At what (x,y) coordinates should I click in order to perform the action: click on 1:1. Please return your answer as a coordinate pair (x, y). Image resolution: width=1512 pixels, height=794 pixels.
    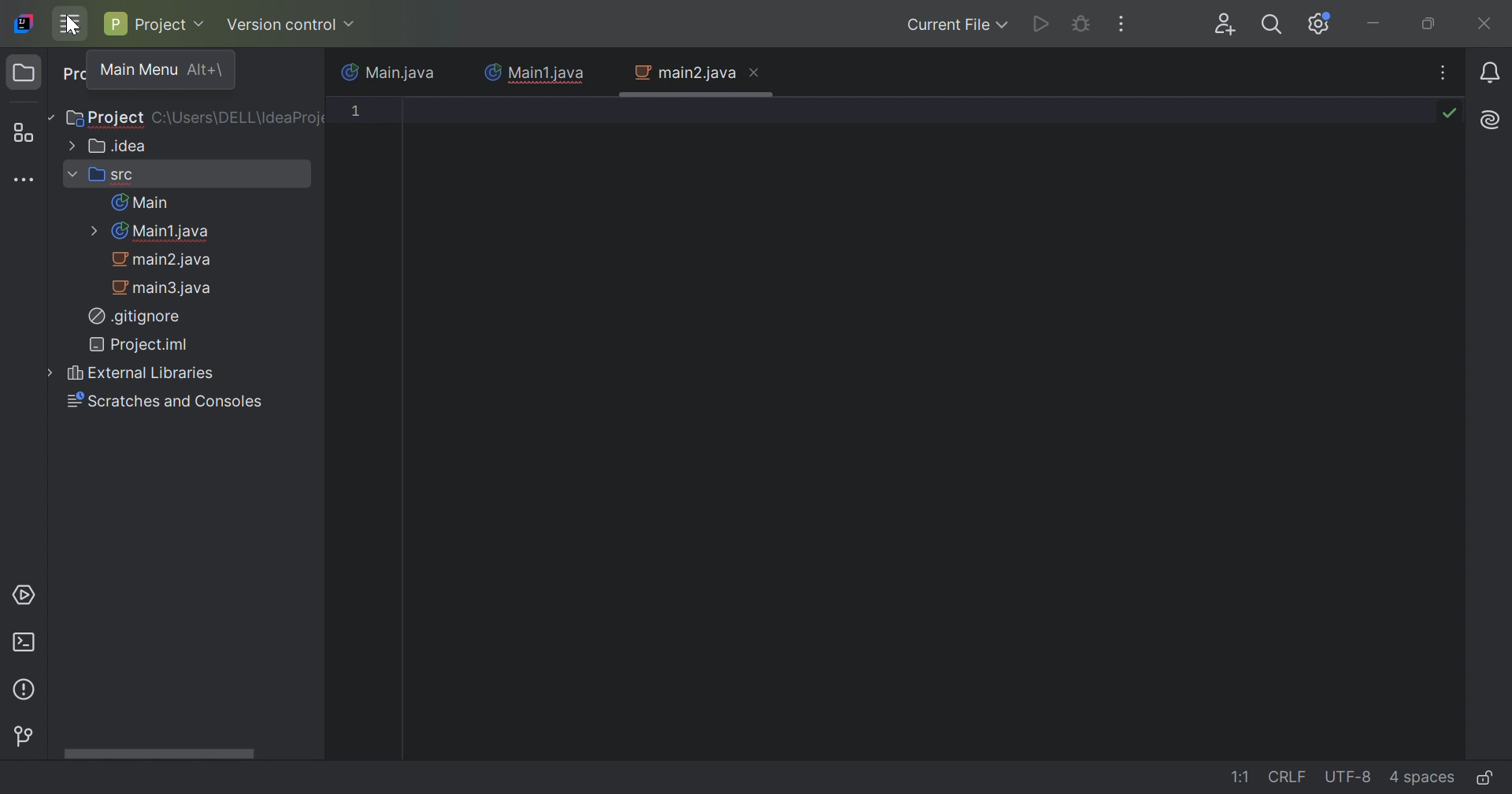
    Looking at the image, I should click on (1240, 777).